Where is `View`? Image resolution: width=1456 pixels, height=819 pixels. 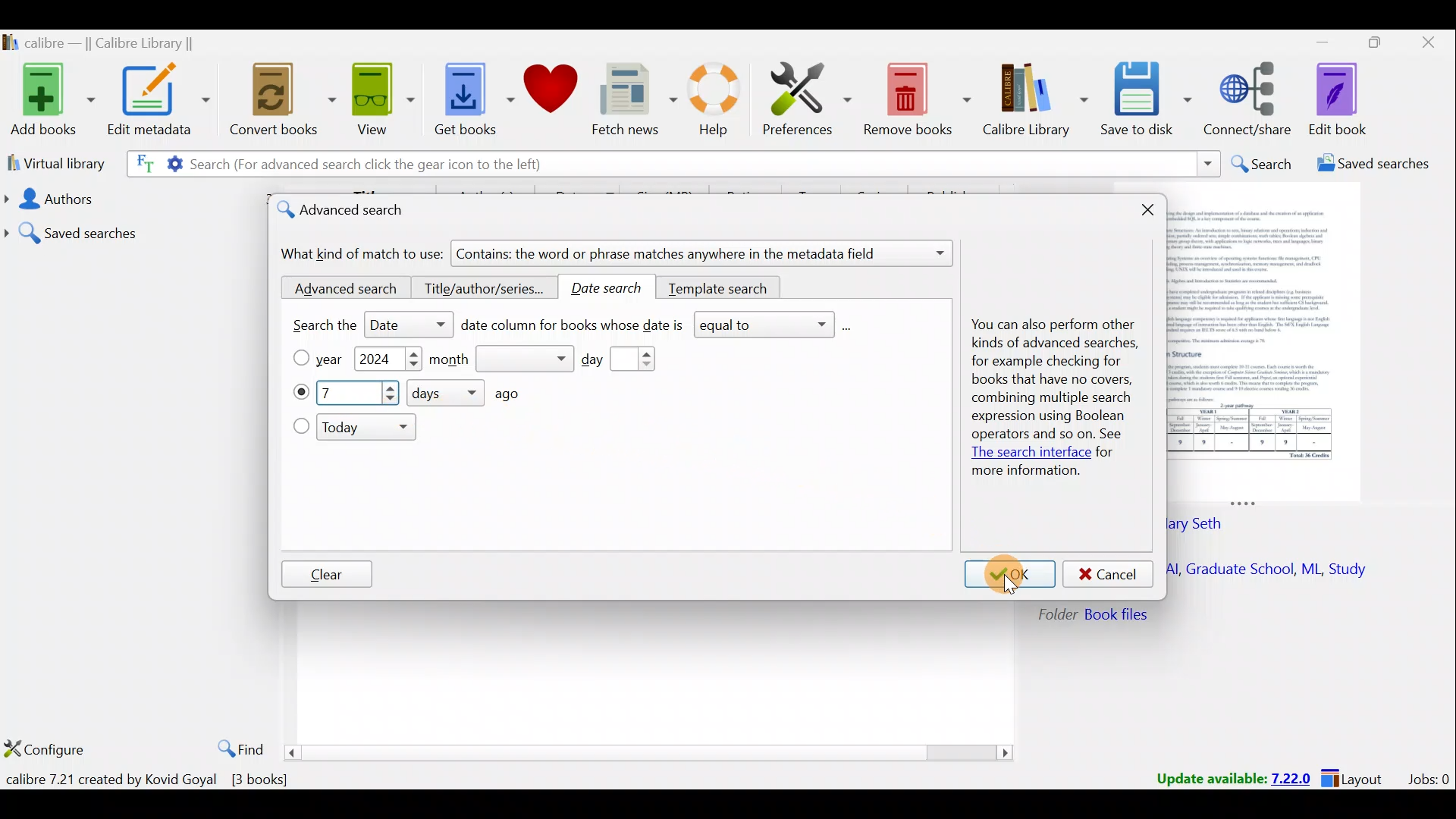 View is located at coordinates (379, 101).